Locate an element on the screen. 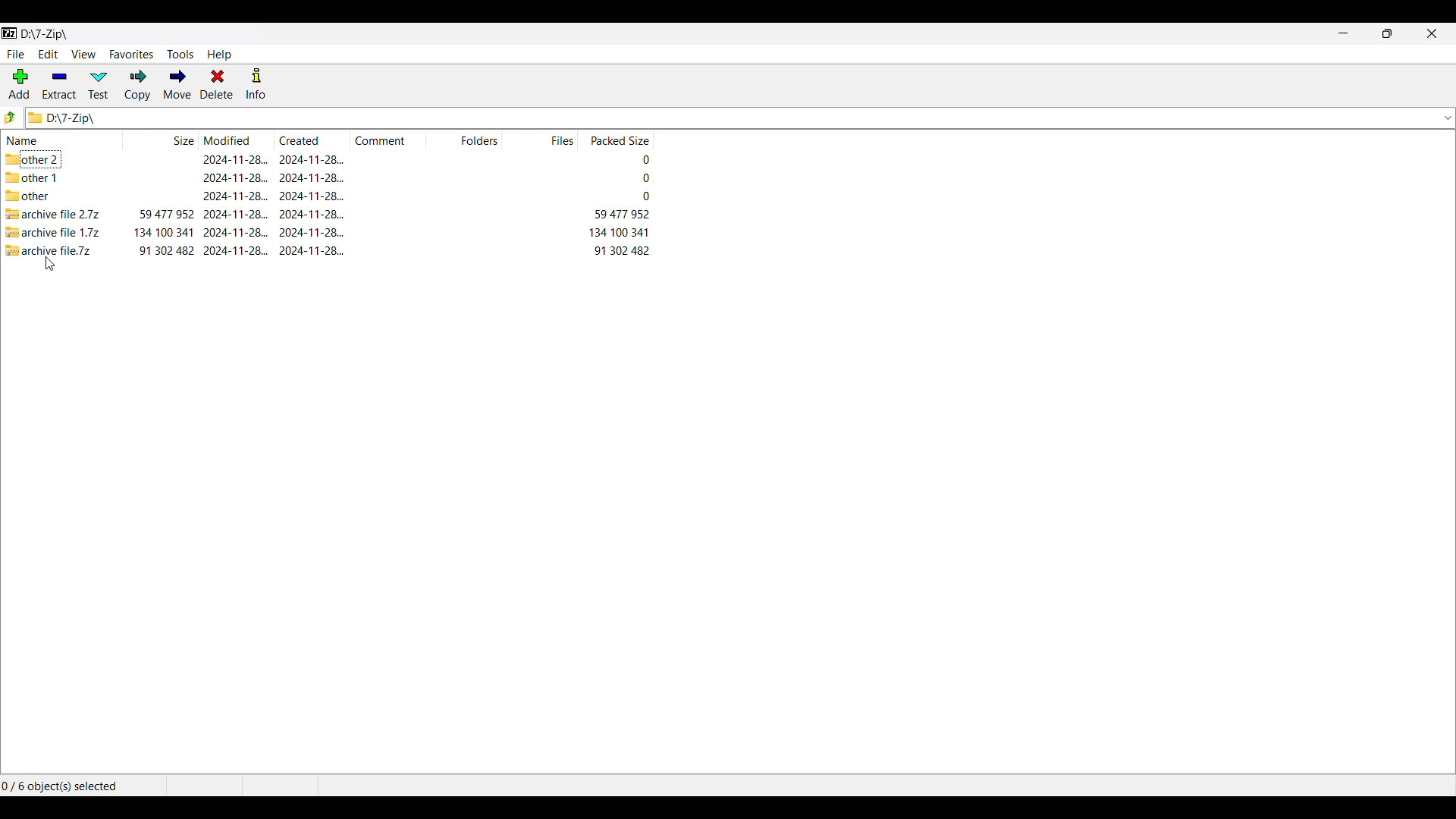 Image resolution: width=1456 pixels, height=819 pixels. Tools menu is located at coordinates (180, 55).